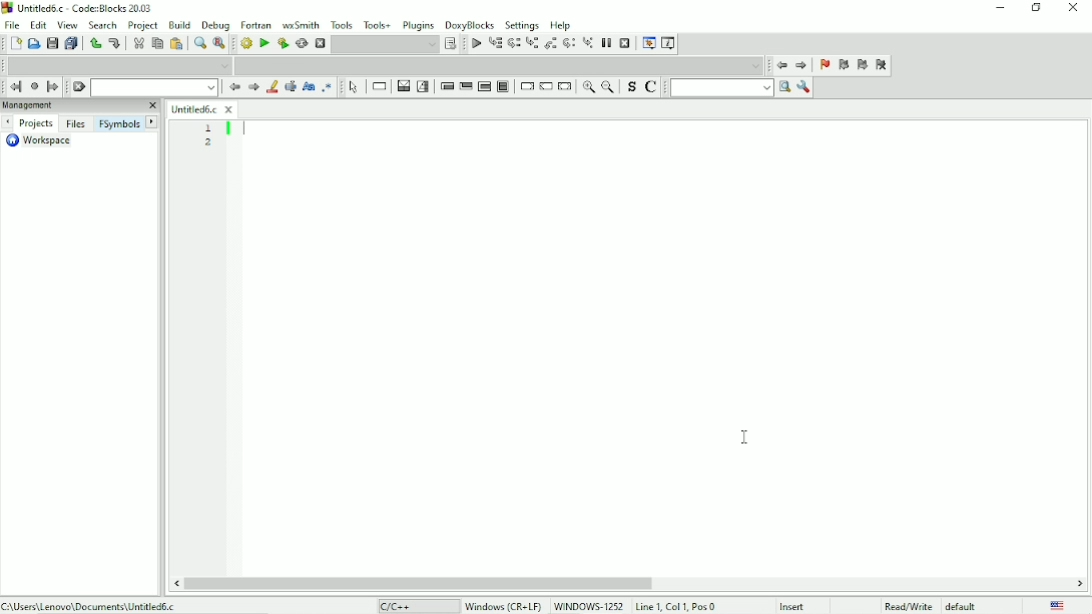 The height and width of the screenshot is (614, 1092). What do you see at coordinates (424, 86) in the screenshot?
I see `Selection` at bounding box center [424, 86].